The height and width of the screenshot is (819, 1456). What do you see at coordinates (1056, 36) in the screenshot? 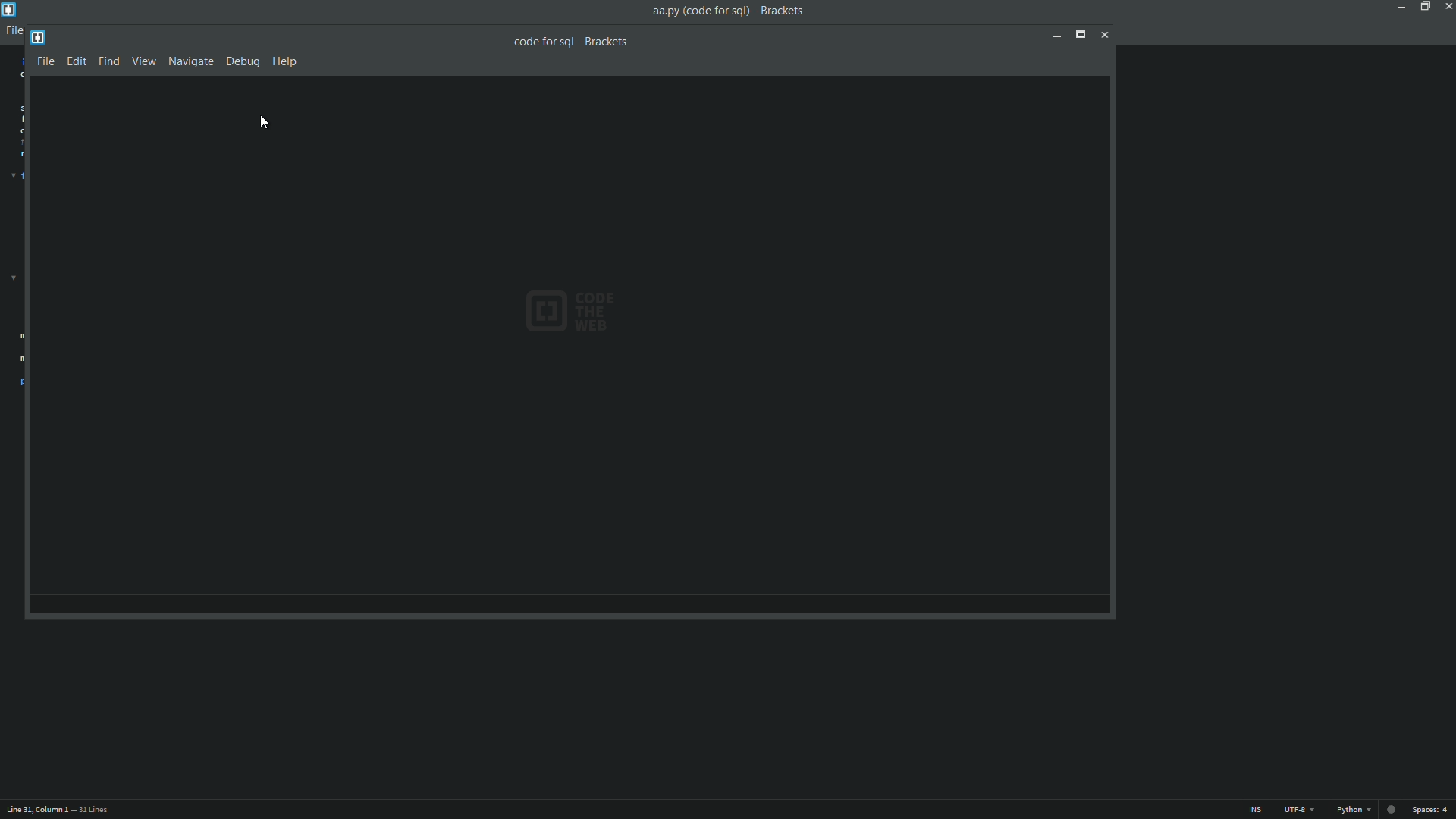
I see `minimize` at bounding box center [1056, 36].